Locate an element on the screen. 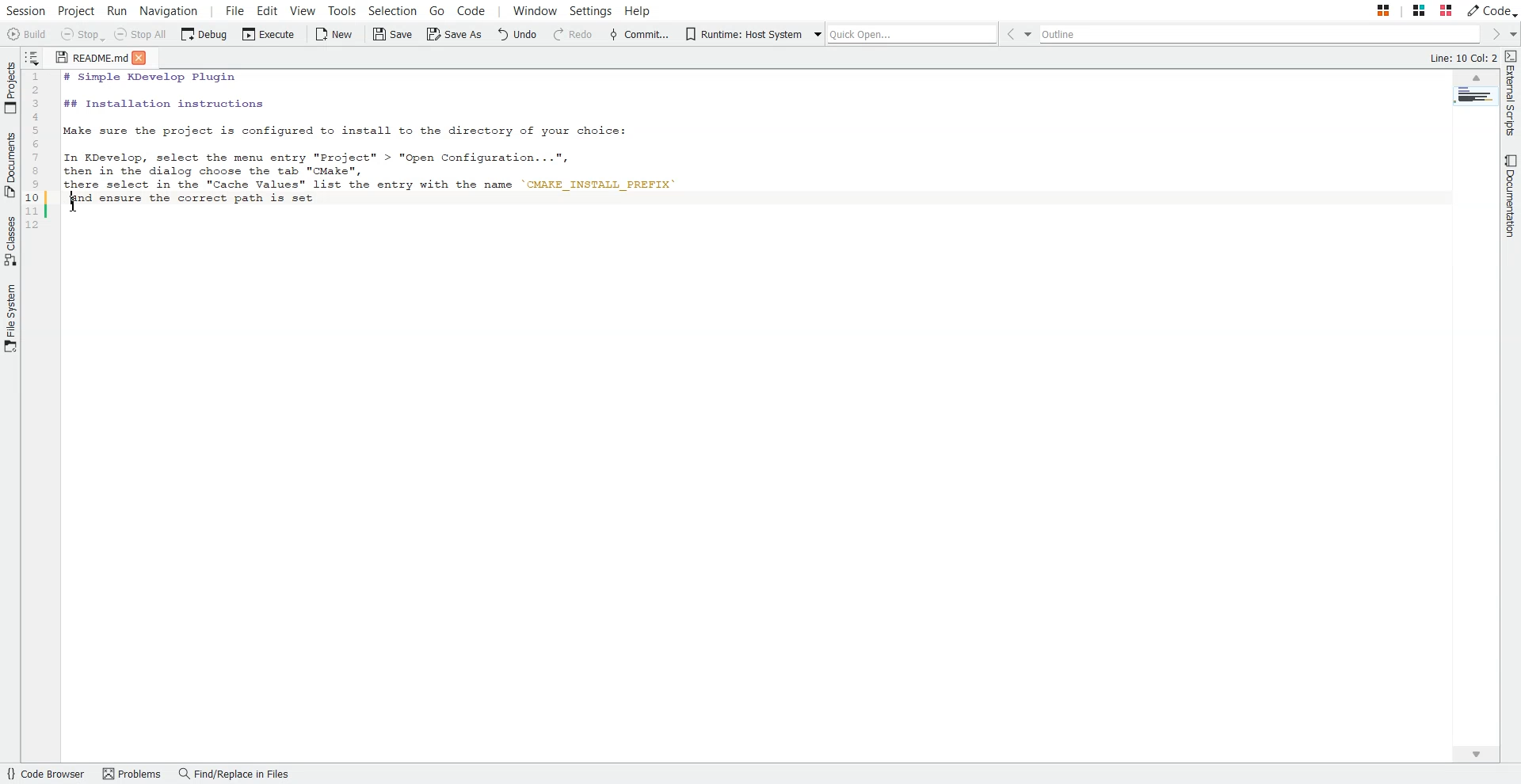 The width and height of the screenshot is (1521, 784). View is located at coordinates (302, 10).